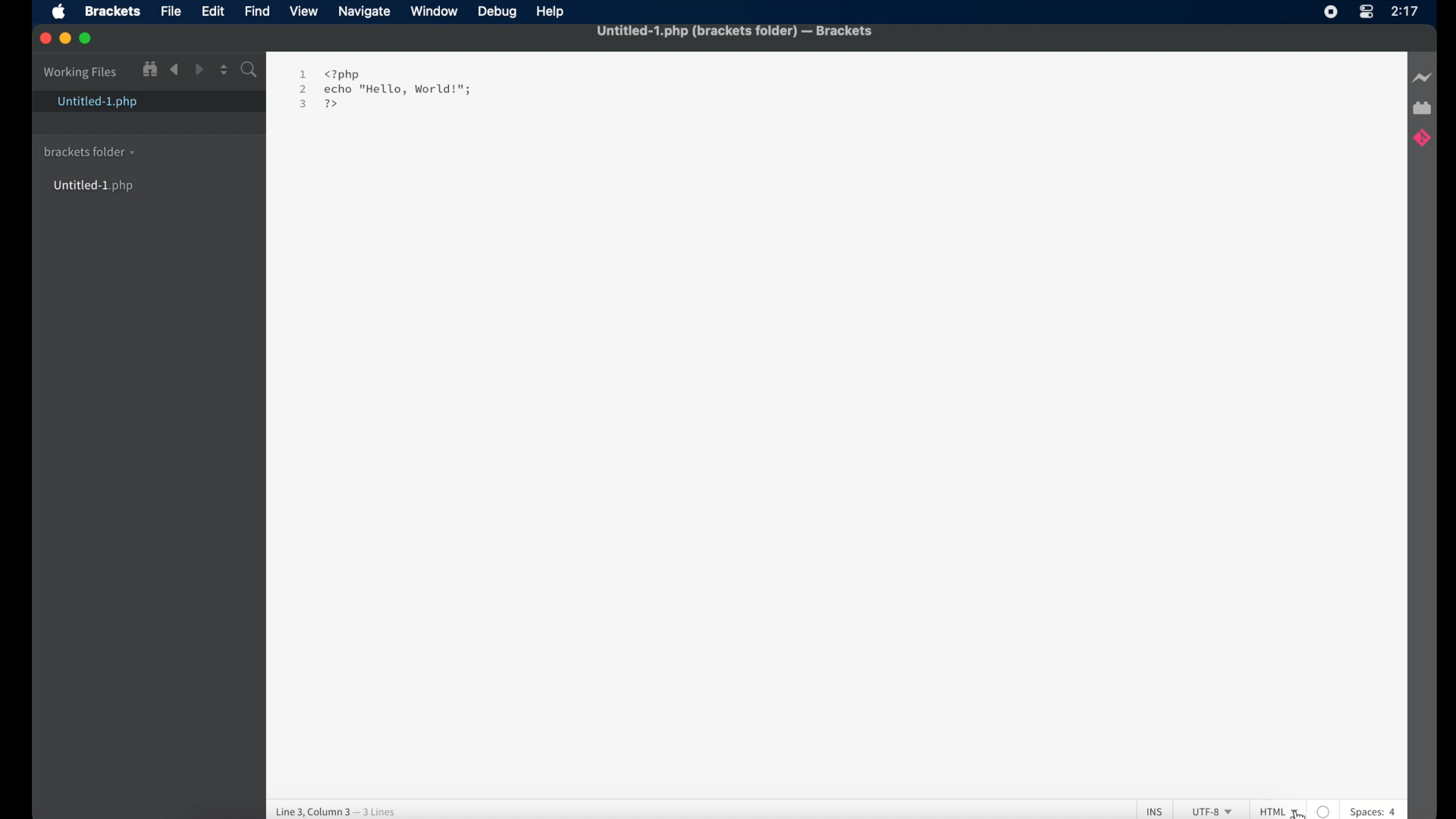  What do you see at coordinates (304, 12) in the screenshot?
I see `view` at bounding box center [304, 12].